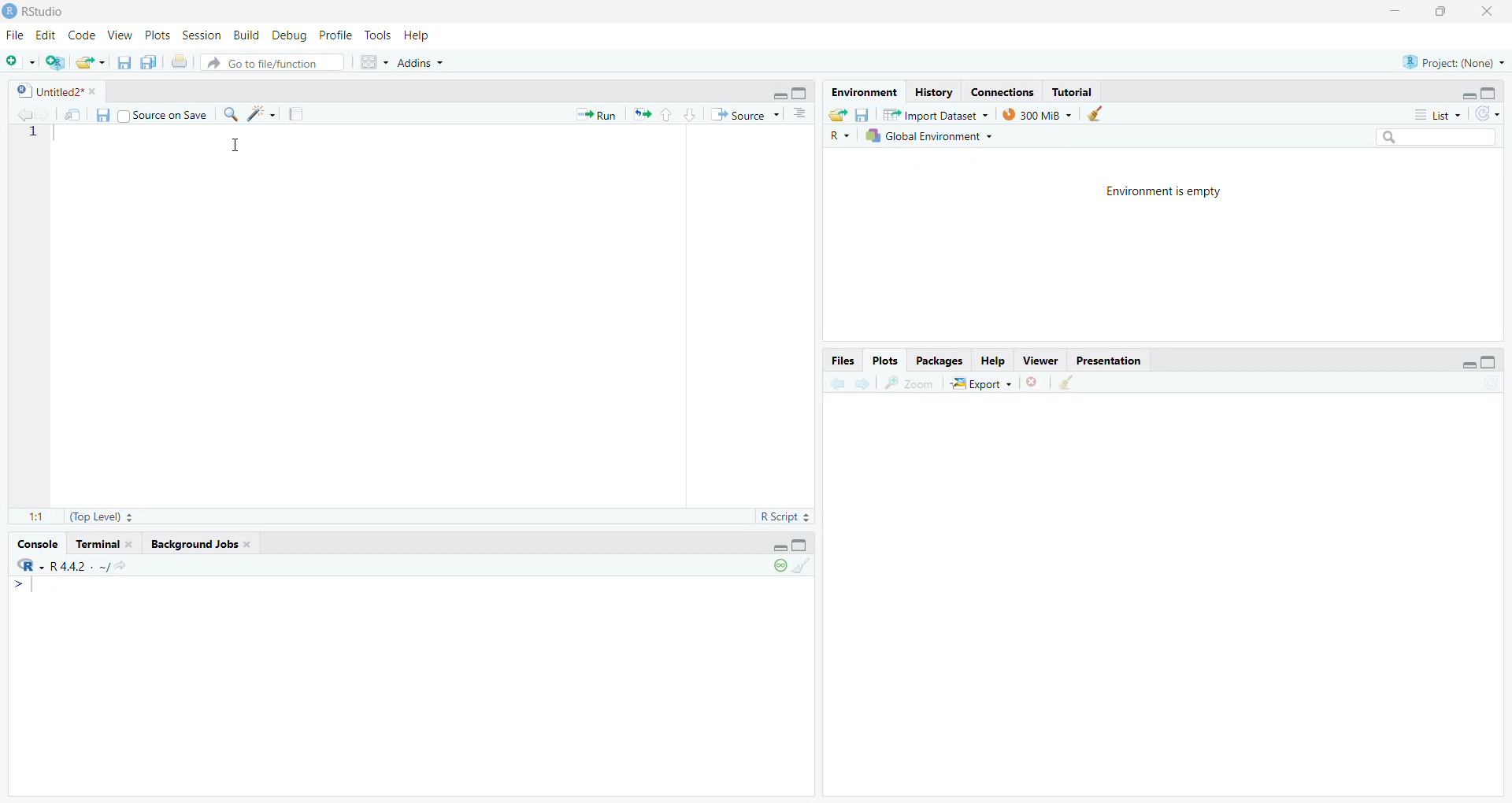 The image size is (1512, 803). Describe the element at coordinates (1440, 115) in the screenshot. I see `List ` at that location.